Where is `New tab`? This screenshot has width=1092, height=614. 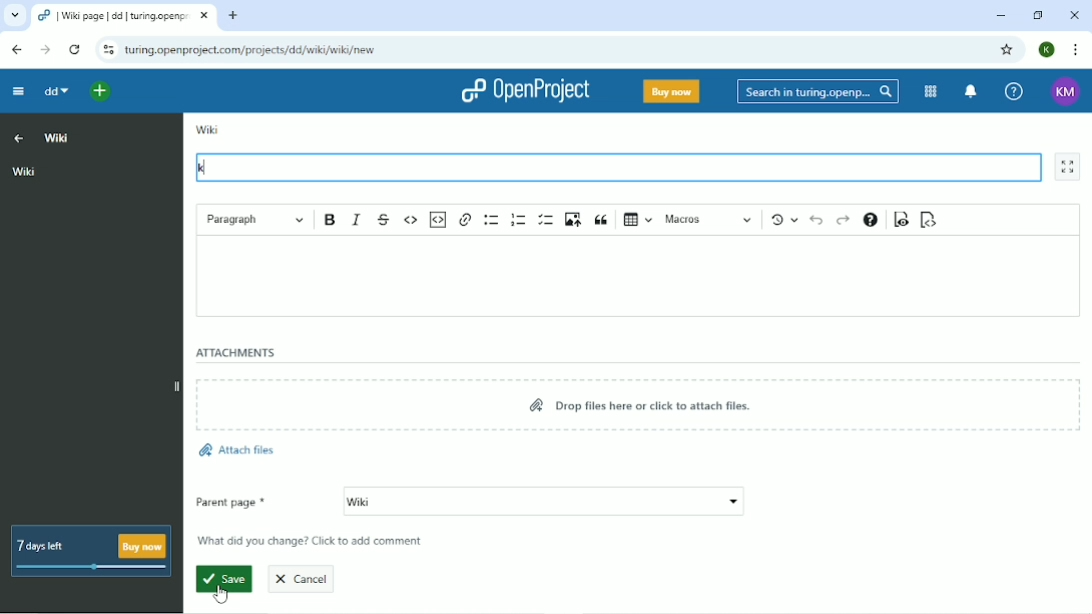 New tab is located at coordinates (232, 16).